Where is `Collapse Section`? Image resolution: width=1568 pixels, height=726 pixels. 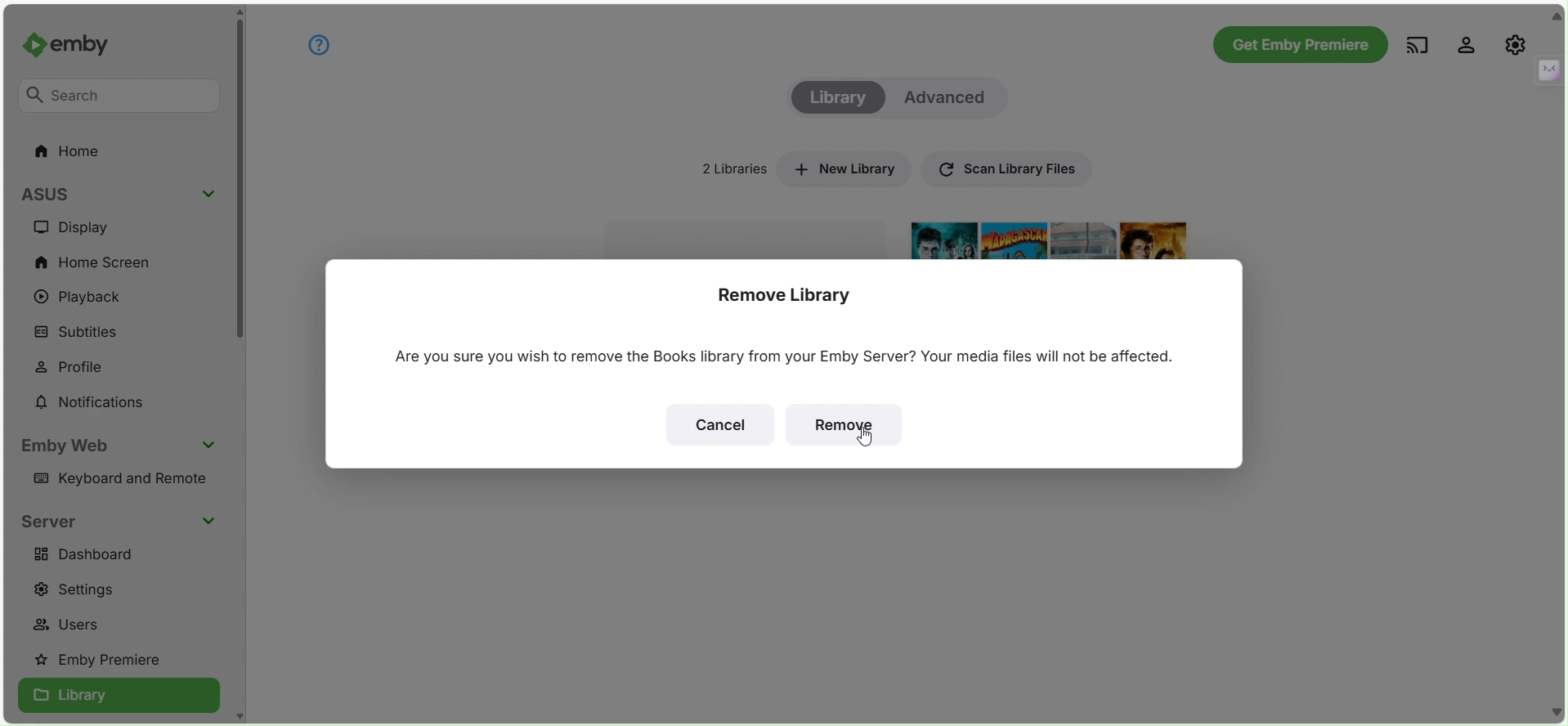
Collapse Section is located at coordinates (208, 195).